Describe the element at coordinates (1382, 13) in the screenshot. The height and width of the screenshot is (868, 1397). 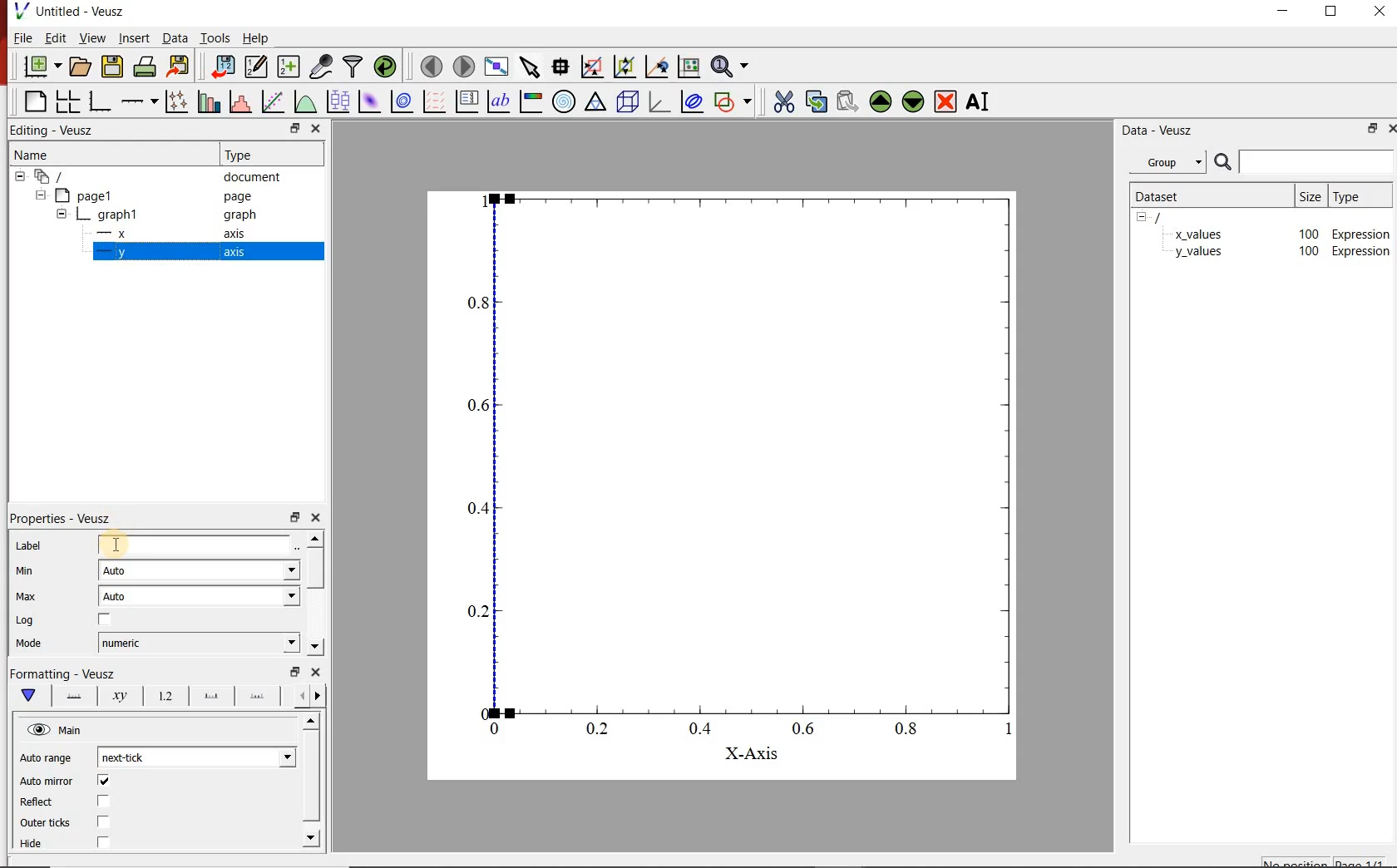
I see `close` at that location.